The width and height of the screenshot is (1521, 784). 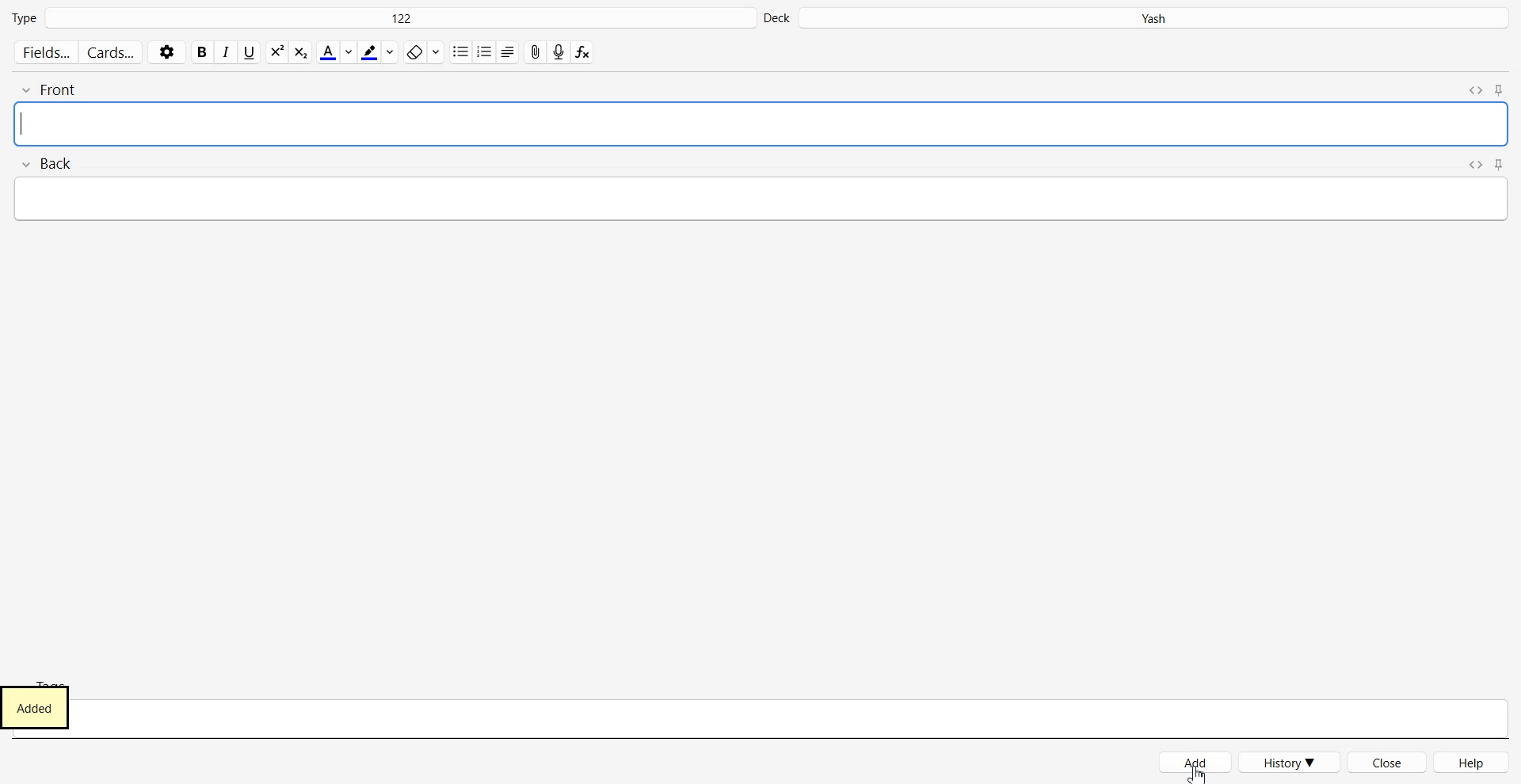 What do you see at coordinates (202, 52) in the screenshot?
I see `Bold` at bounding box center [202, 52].